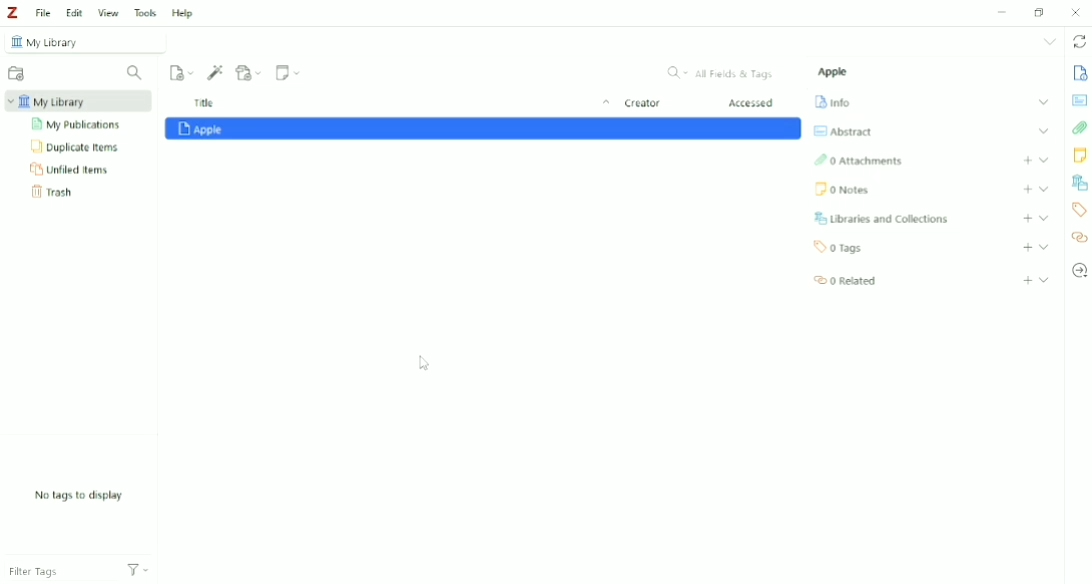  Describe the element at coordinates (1048, 43) in the screenshot. I see `List all tabs` at that location.